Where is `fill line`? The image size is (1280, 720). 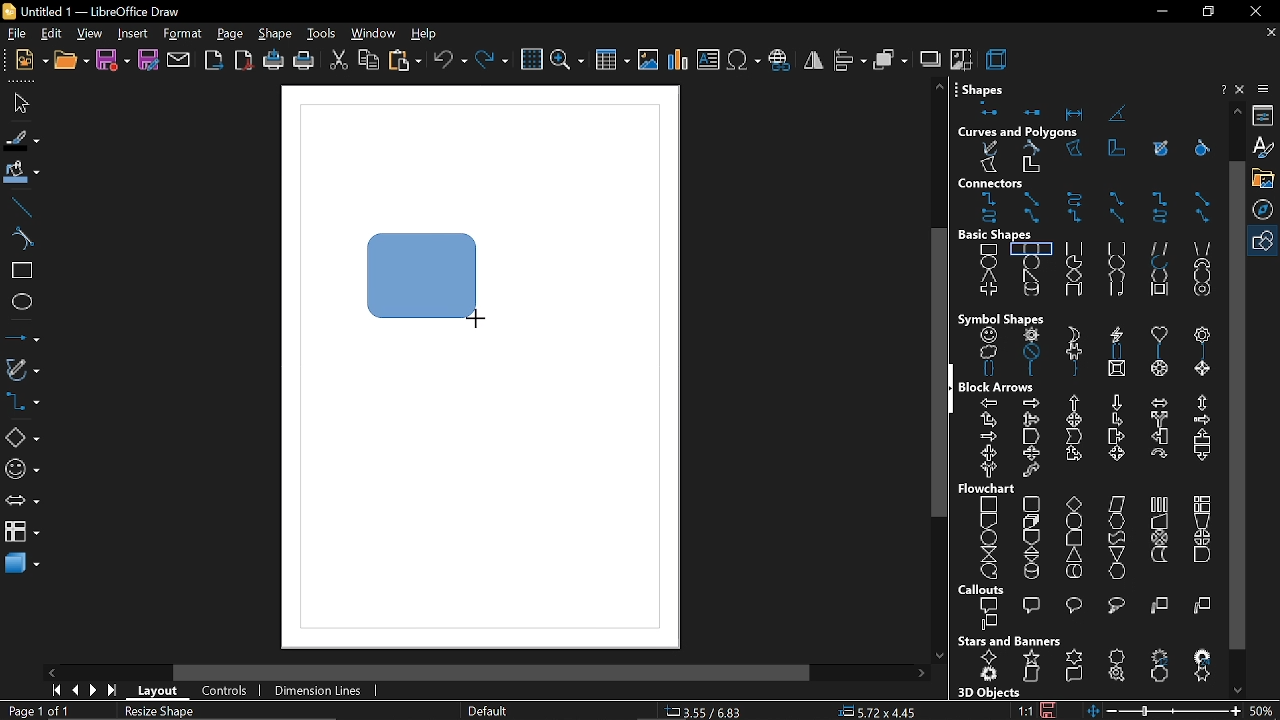 fill line is located at coordinates (22, 141).